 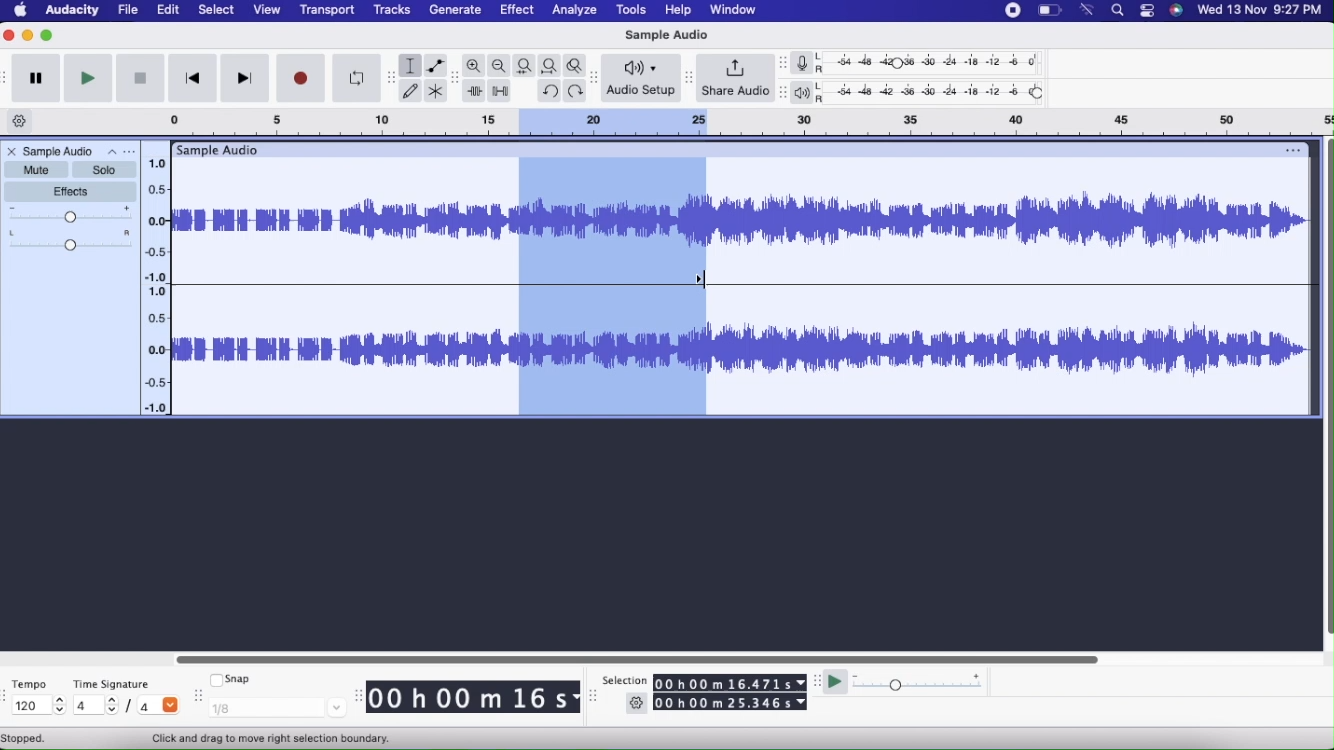 What do you see at coordinates (837, 685) in the screenshot?
I see `Play at speed` at bounding box center [837, 685].